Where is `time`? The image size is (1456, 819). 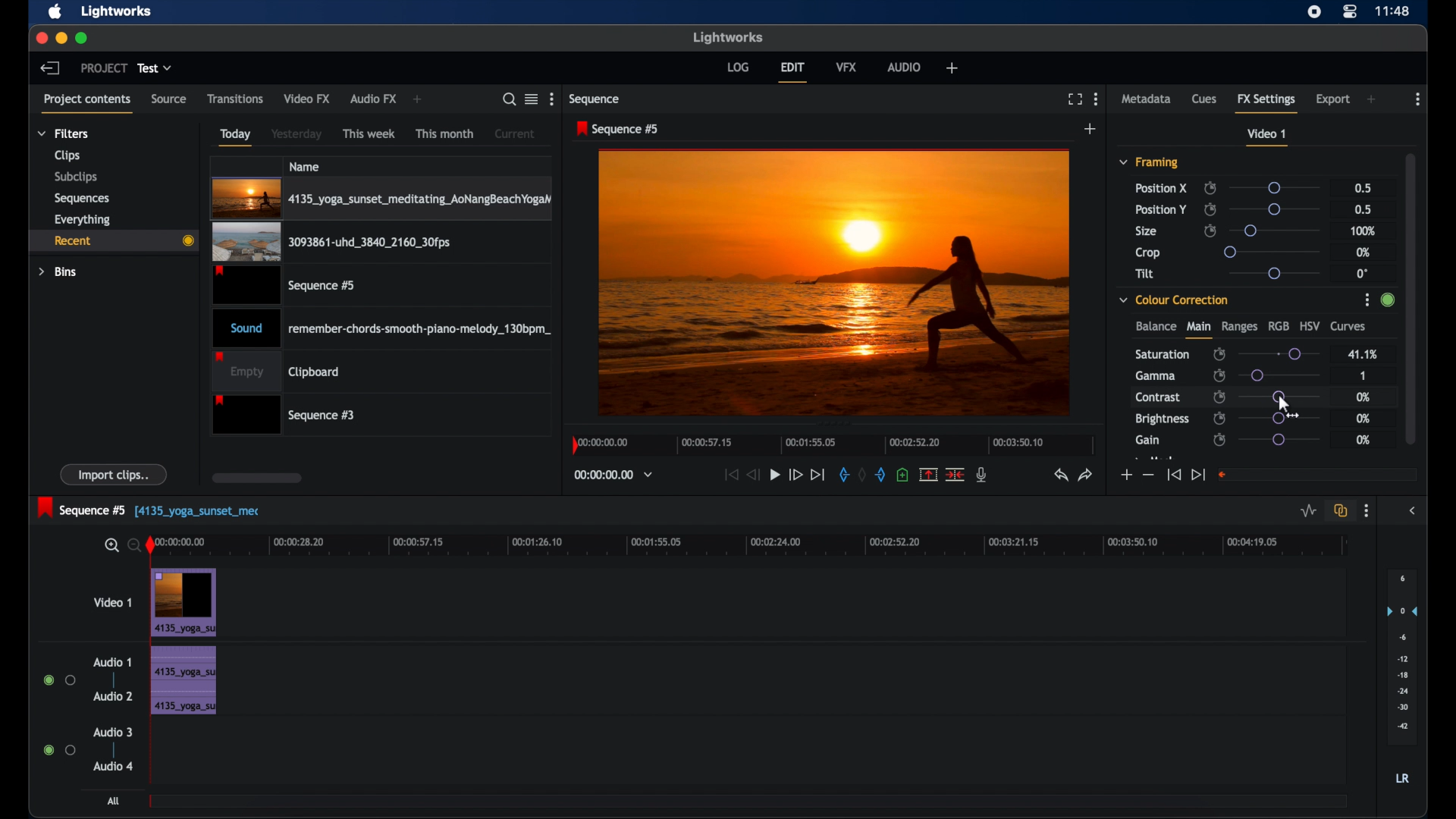
time is located at coordinates (1394, 10).